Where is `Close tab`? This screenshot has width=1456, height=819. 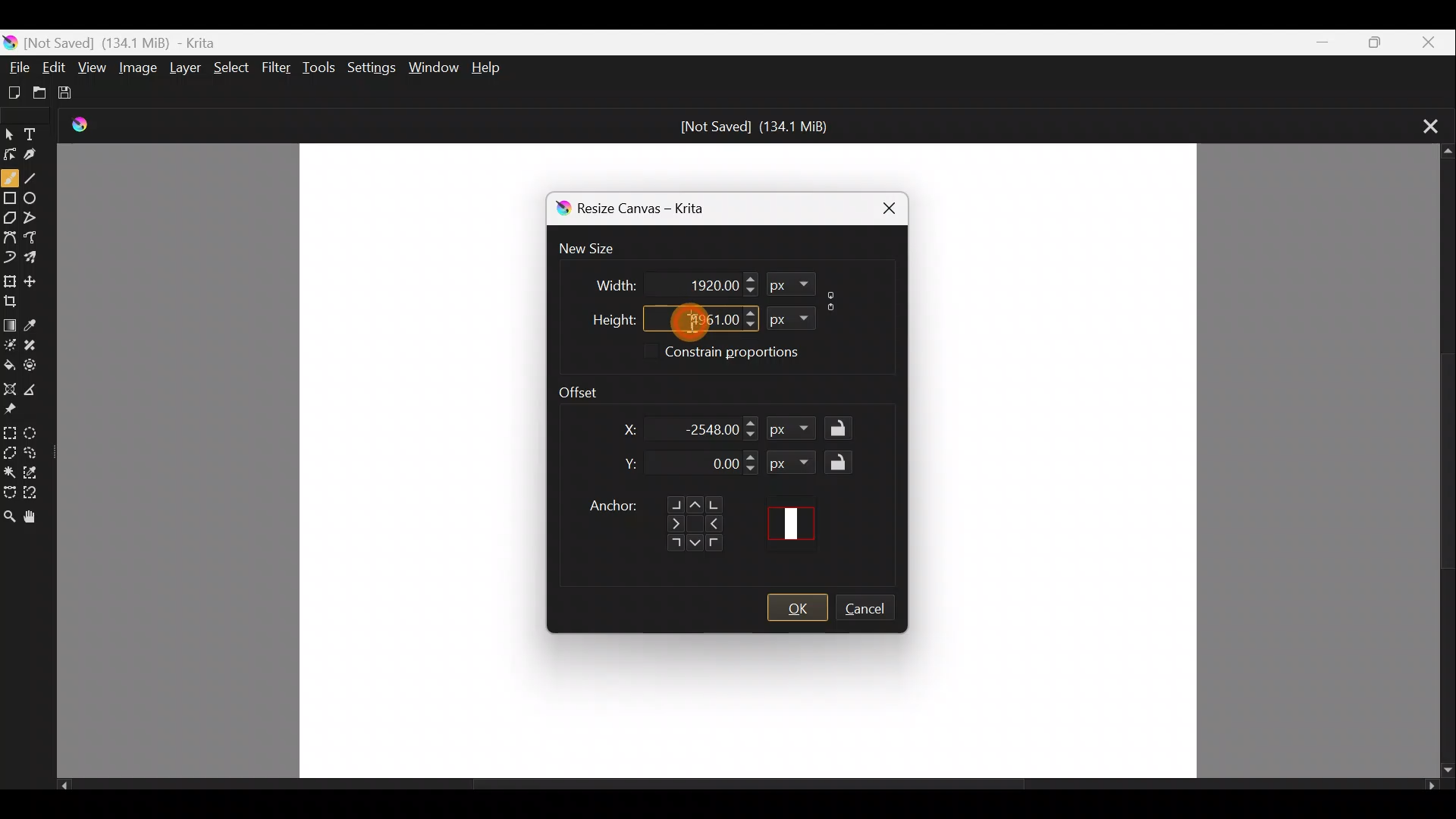
Close tab is located at coordinates (1424, 124).